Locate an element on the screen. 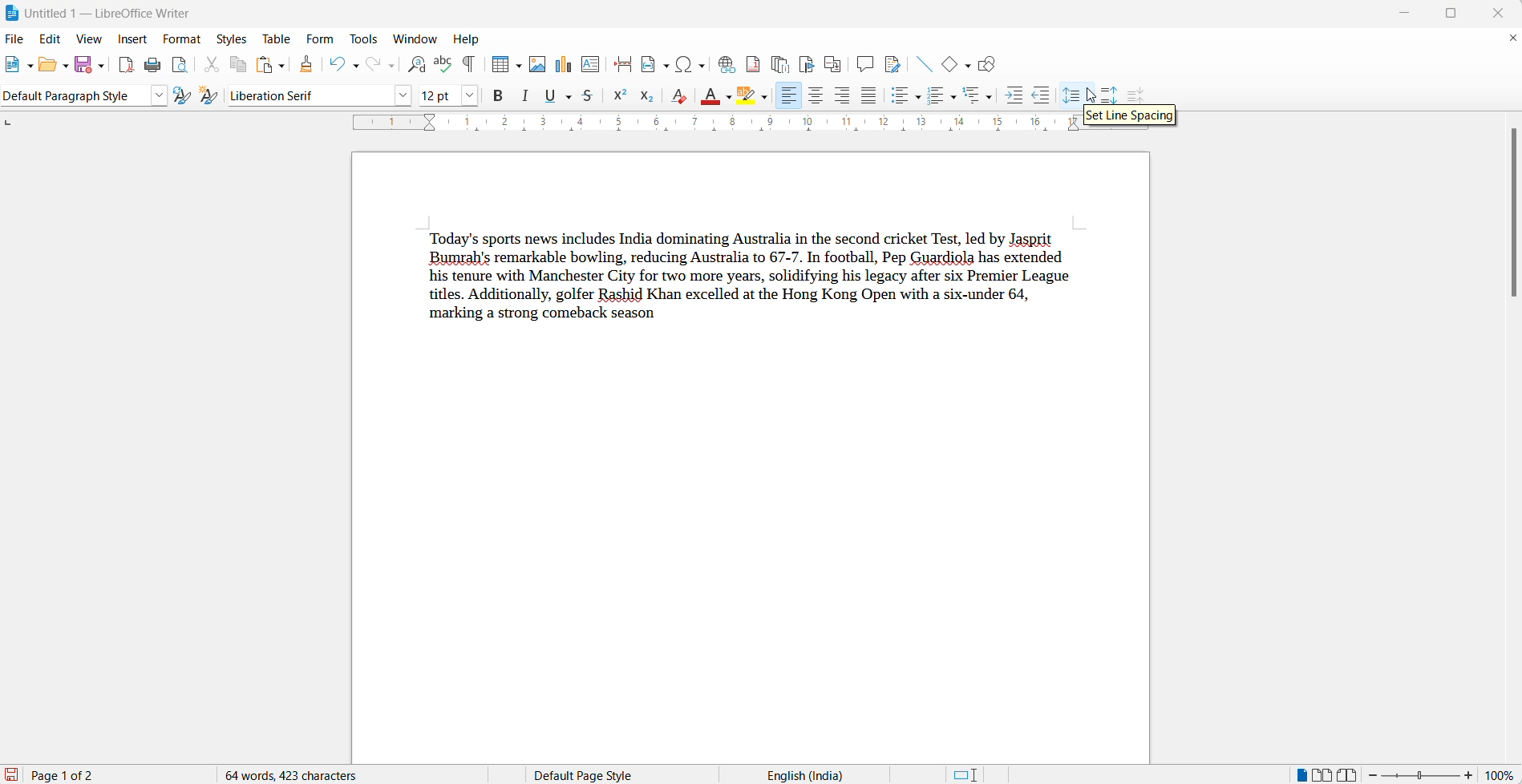  set spacing options dropdown button is located at coordinates (1091, 99).